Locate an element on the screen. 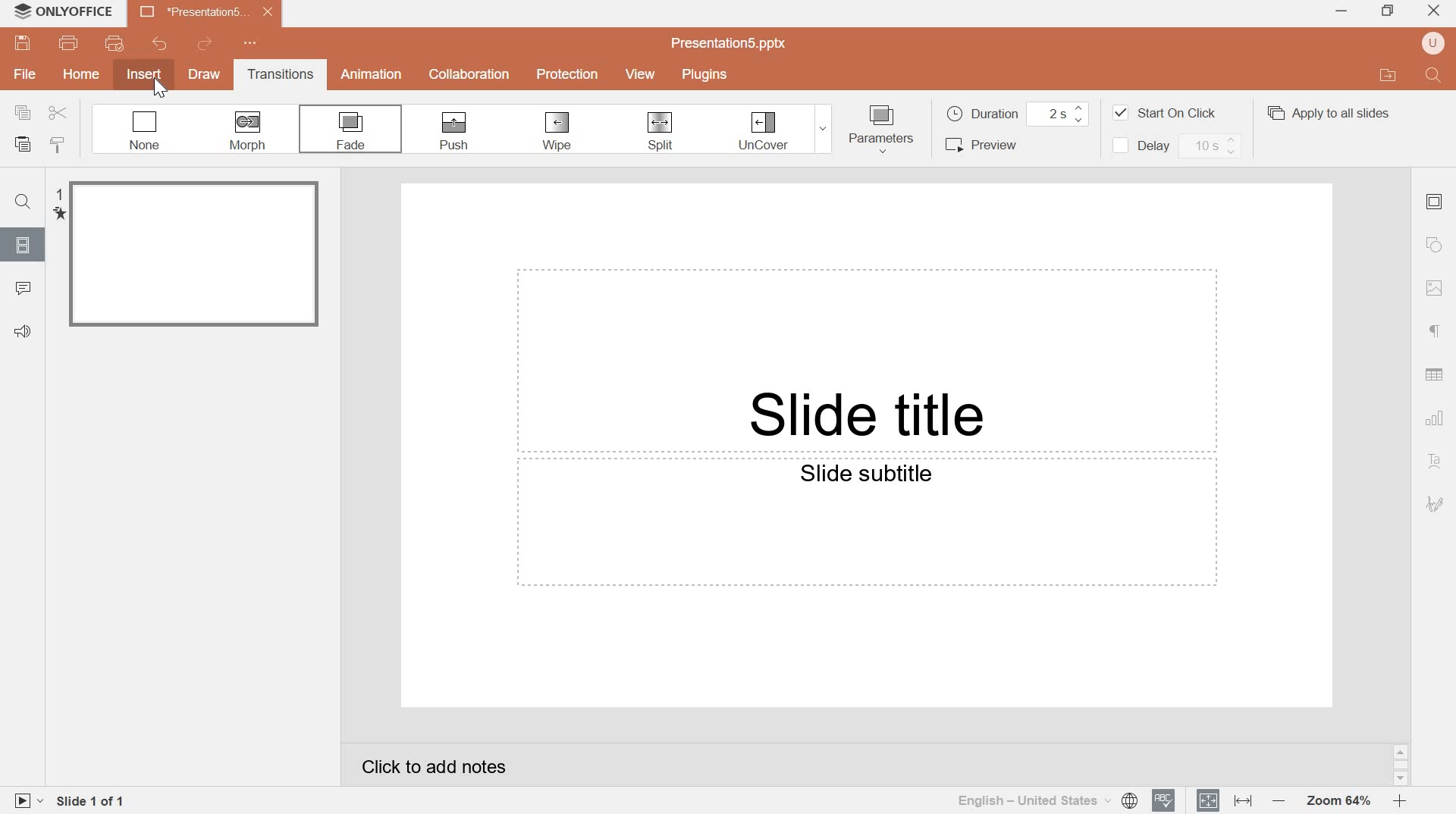 The image size is (1456, 814). Preview is located at coordinates (989, 144).